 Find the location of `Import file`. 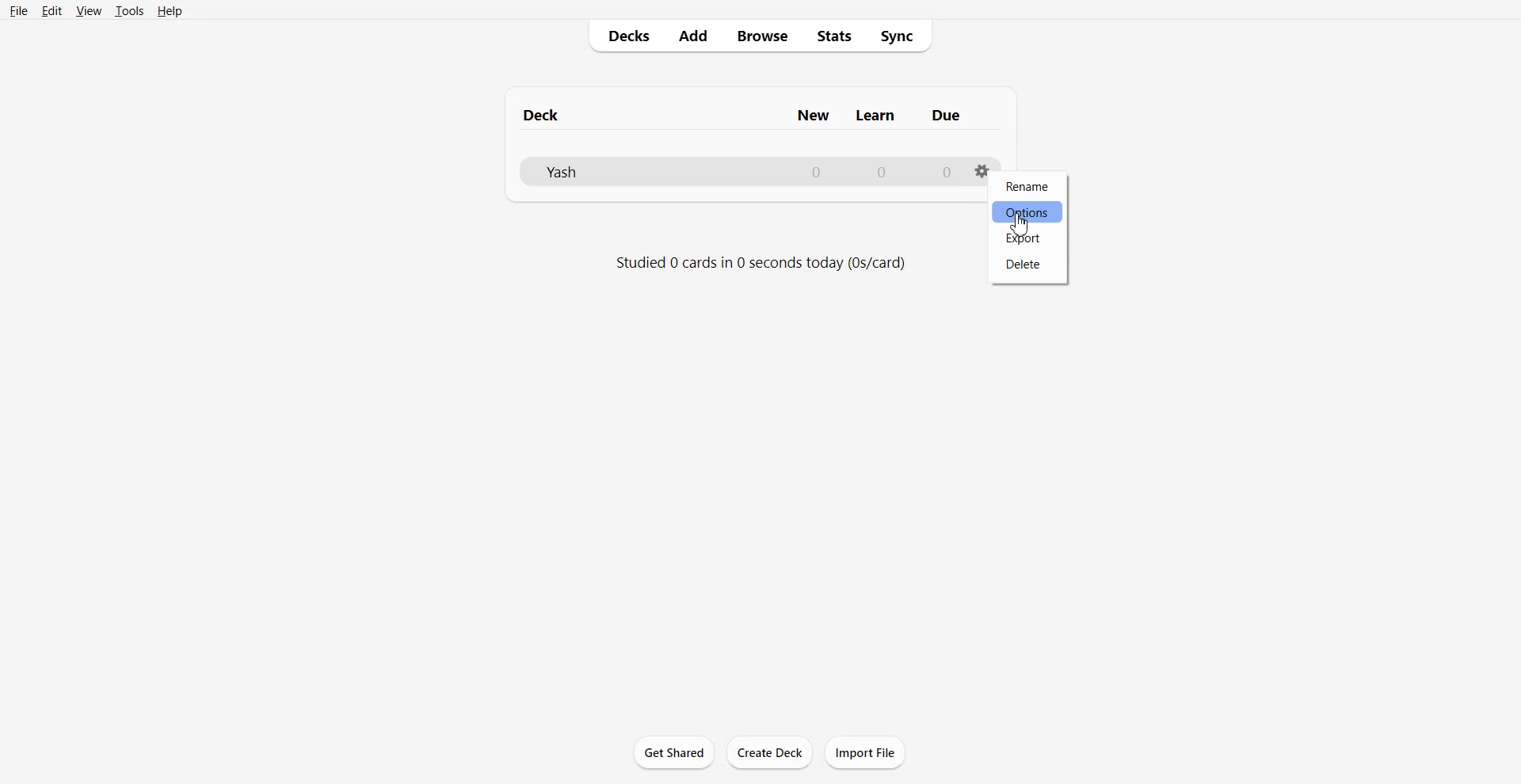

Import file is located at coordinates (866, 752).